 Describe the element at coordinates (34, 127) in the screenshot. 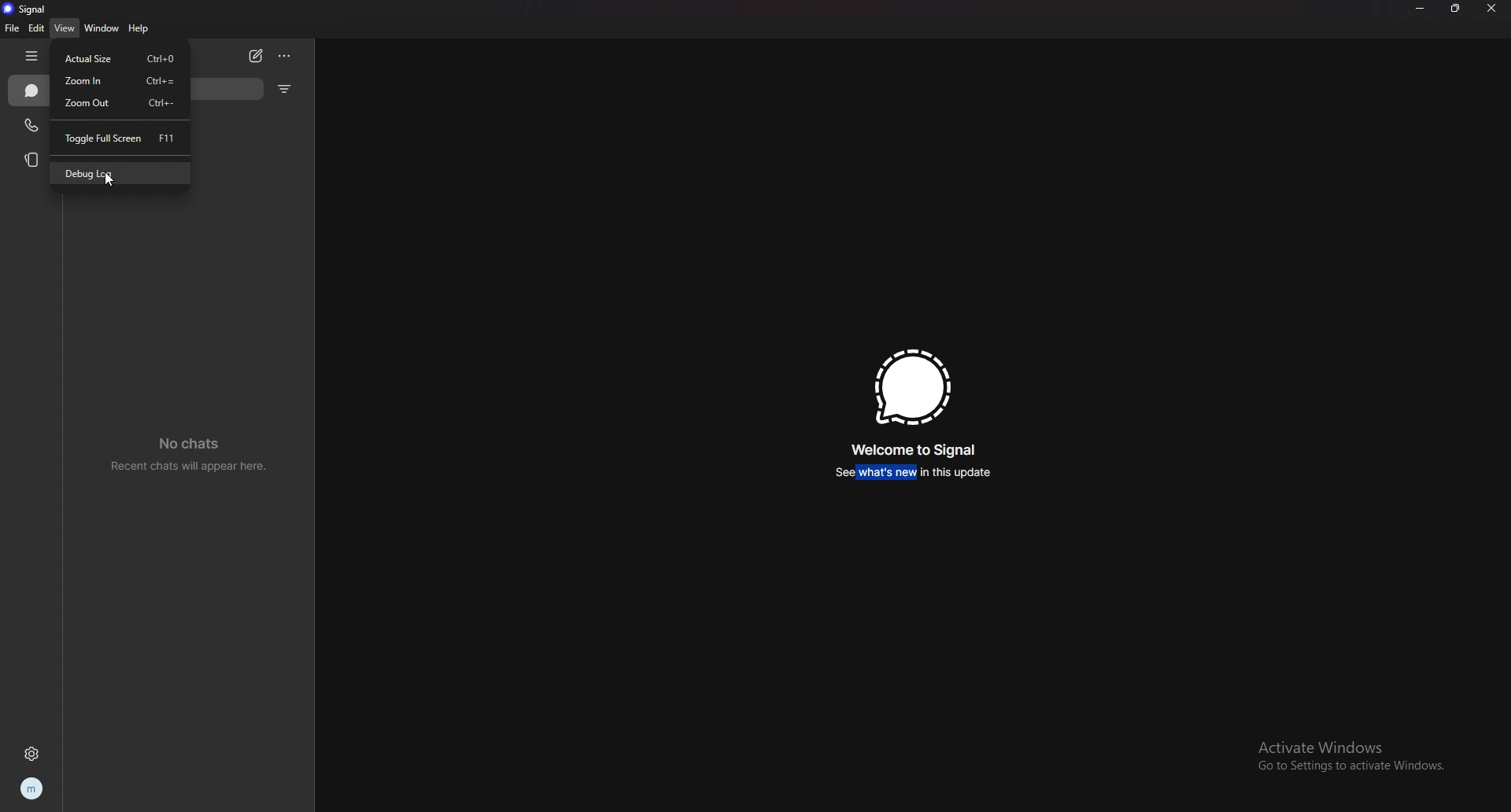

I see `calls` at that location.